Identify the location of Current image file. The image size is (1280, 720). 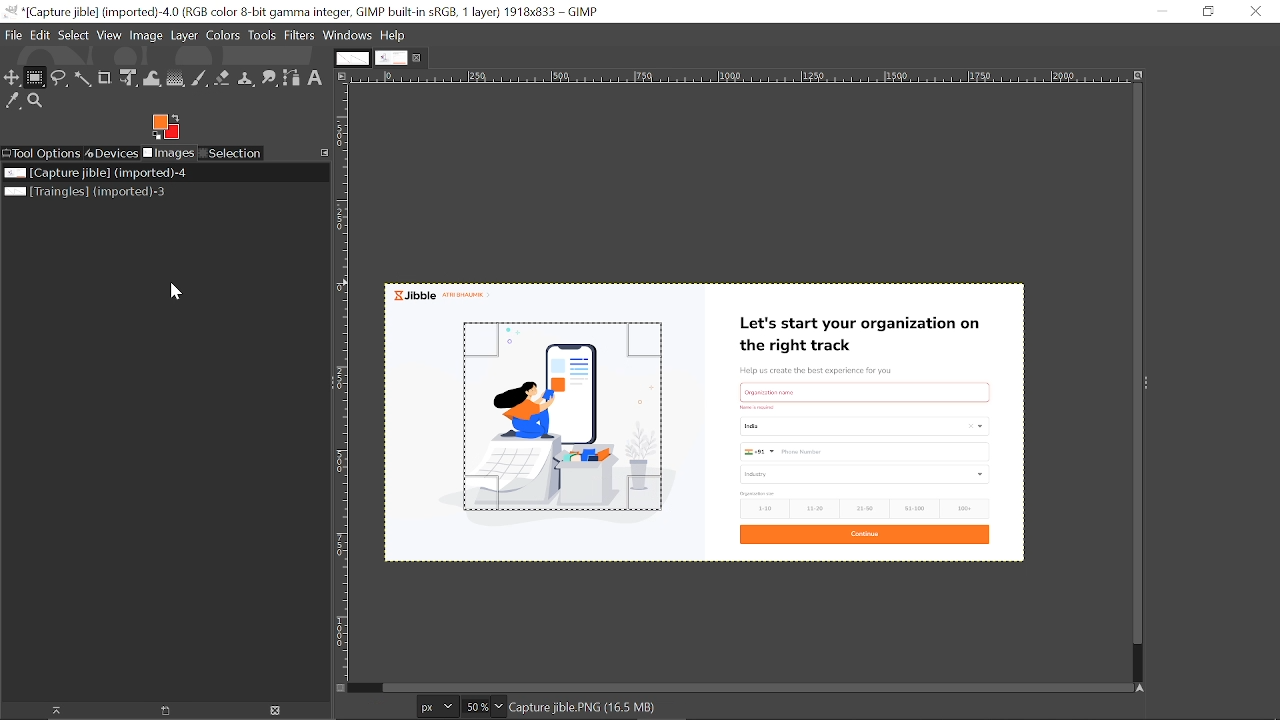
(93, 172).